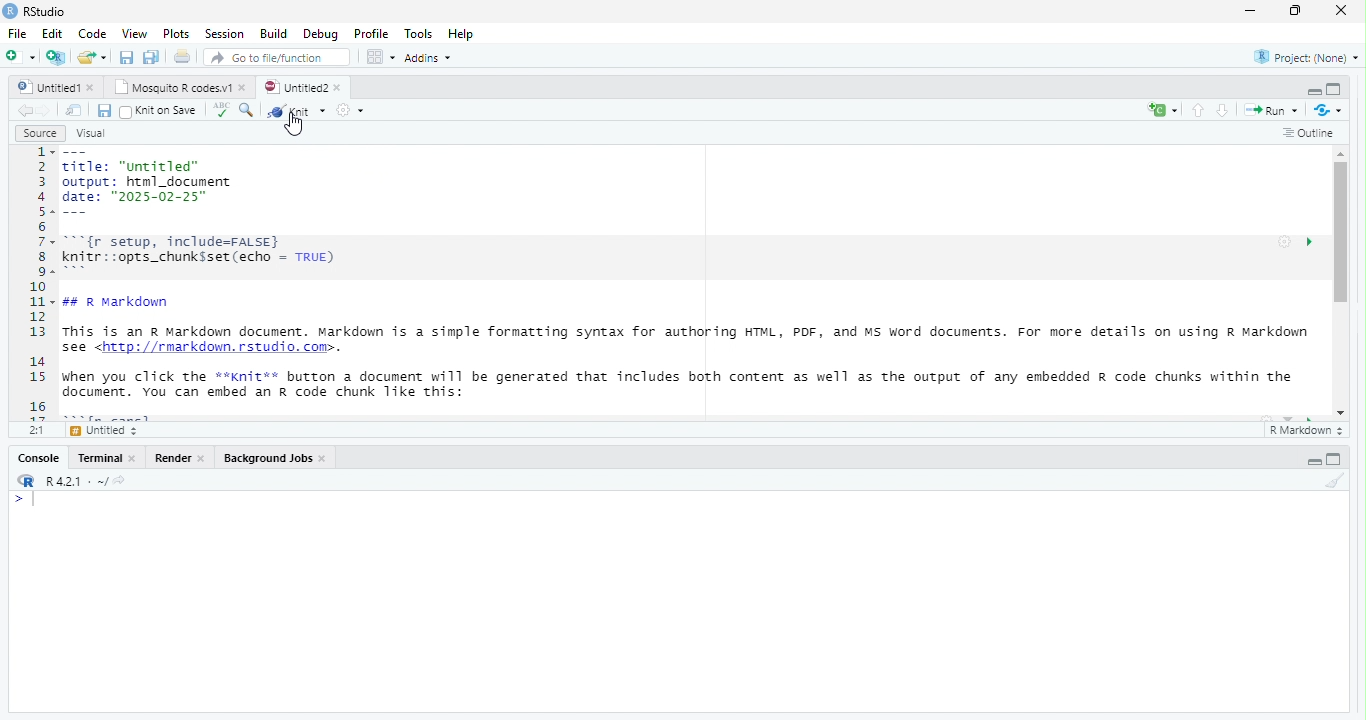 This screenshot has height=720, width=1366. Describe the element at coordinates (1343, 153) in the screenshot. I see `scroll up` at that location.